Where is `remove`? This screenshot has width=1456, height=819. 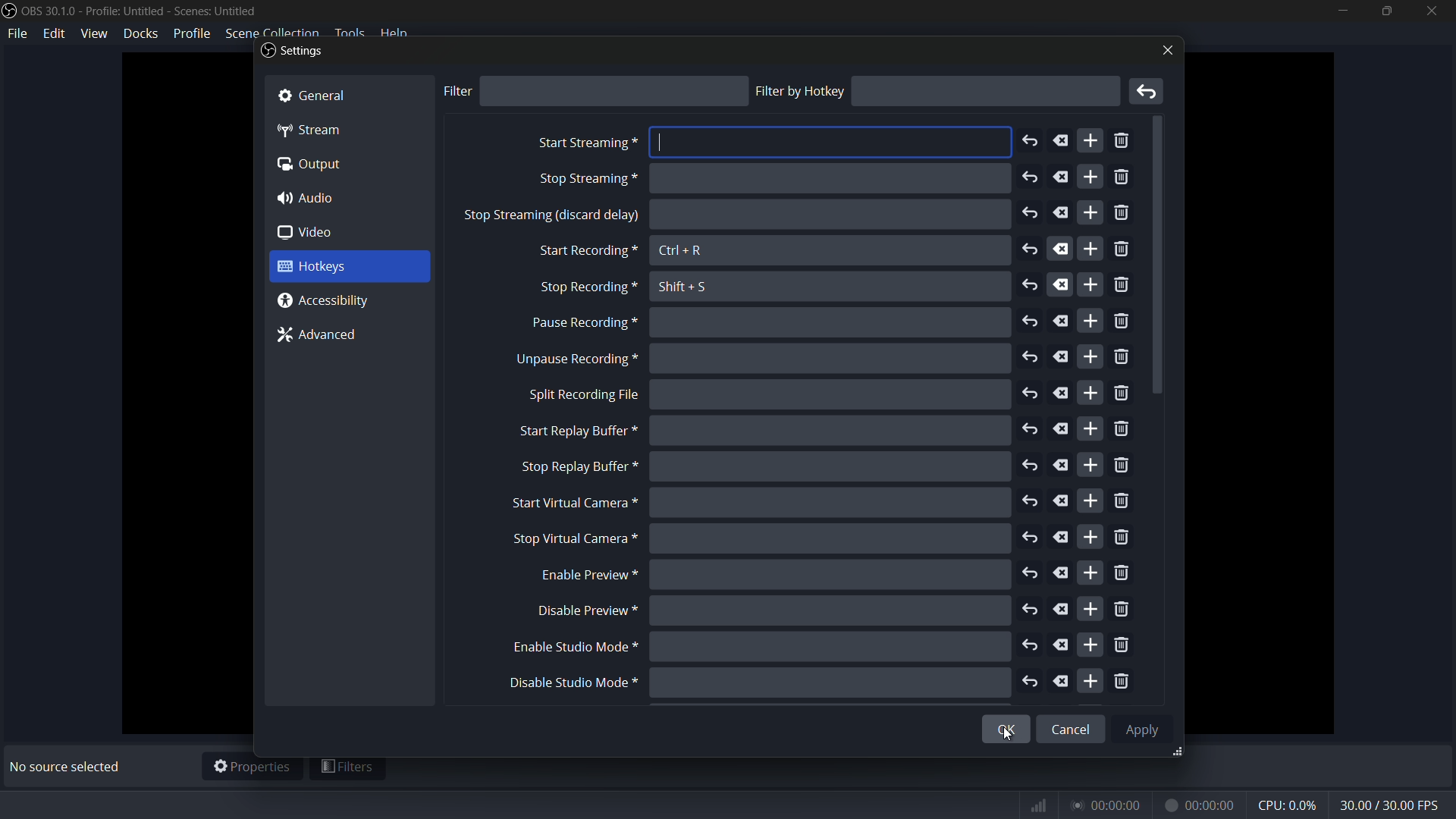
remove is located at coordinates (1122, 287).